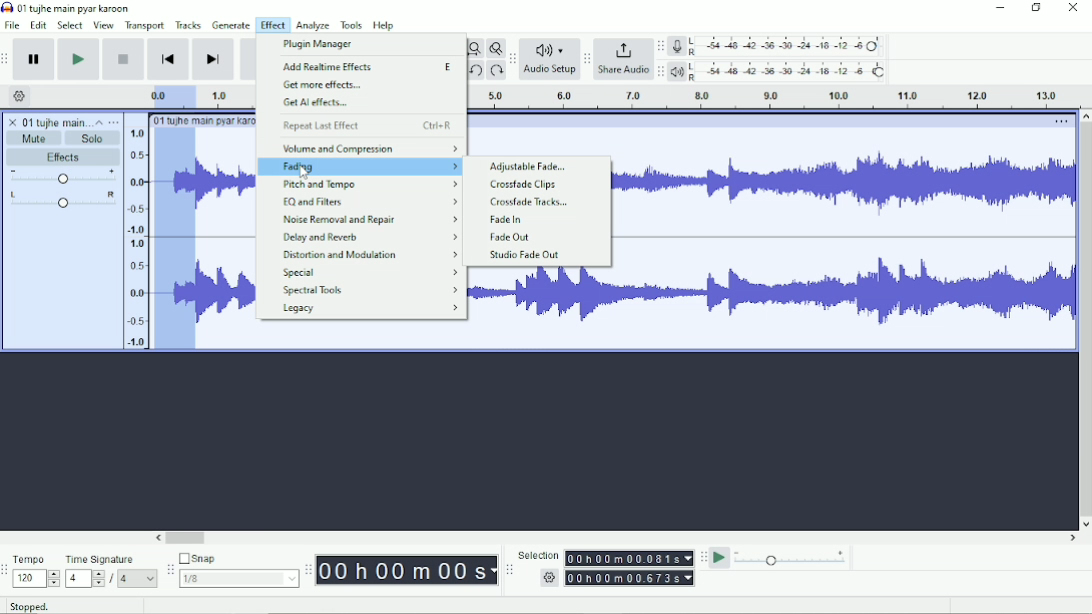 The image size is (1092, 614). Describe the element at coordinates (324, 86) in the screenshot. I see `Get more effects` at that location.